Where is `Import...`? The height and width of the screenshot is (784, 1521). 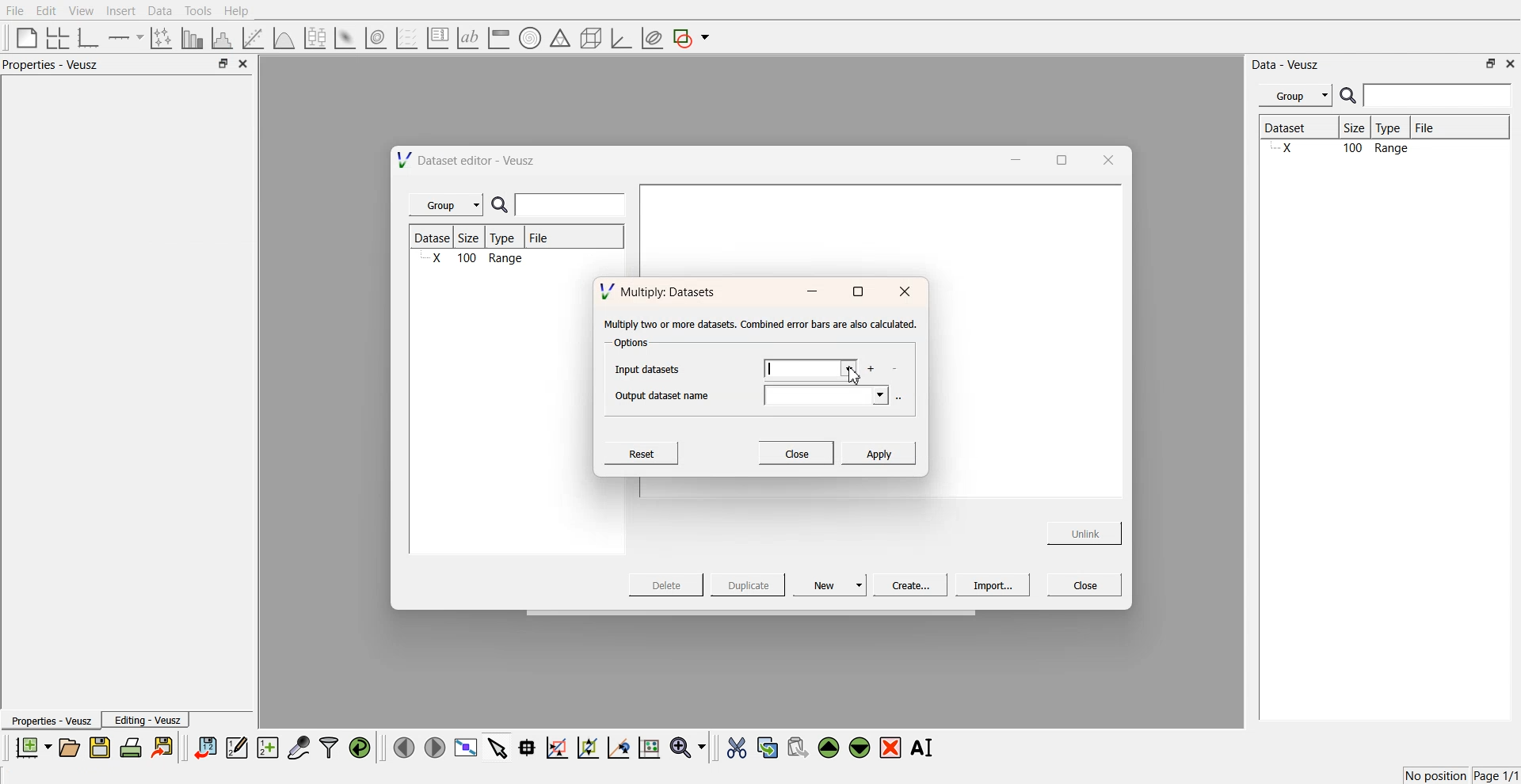
Import... is located at coordinates (993, 585).